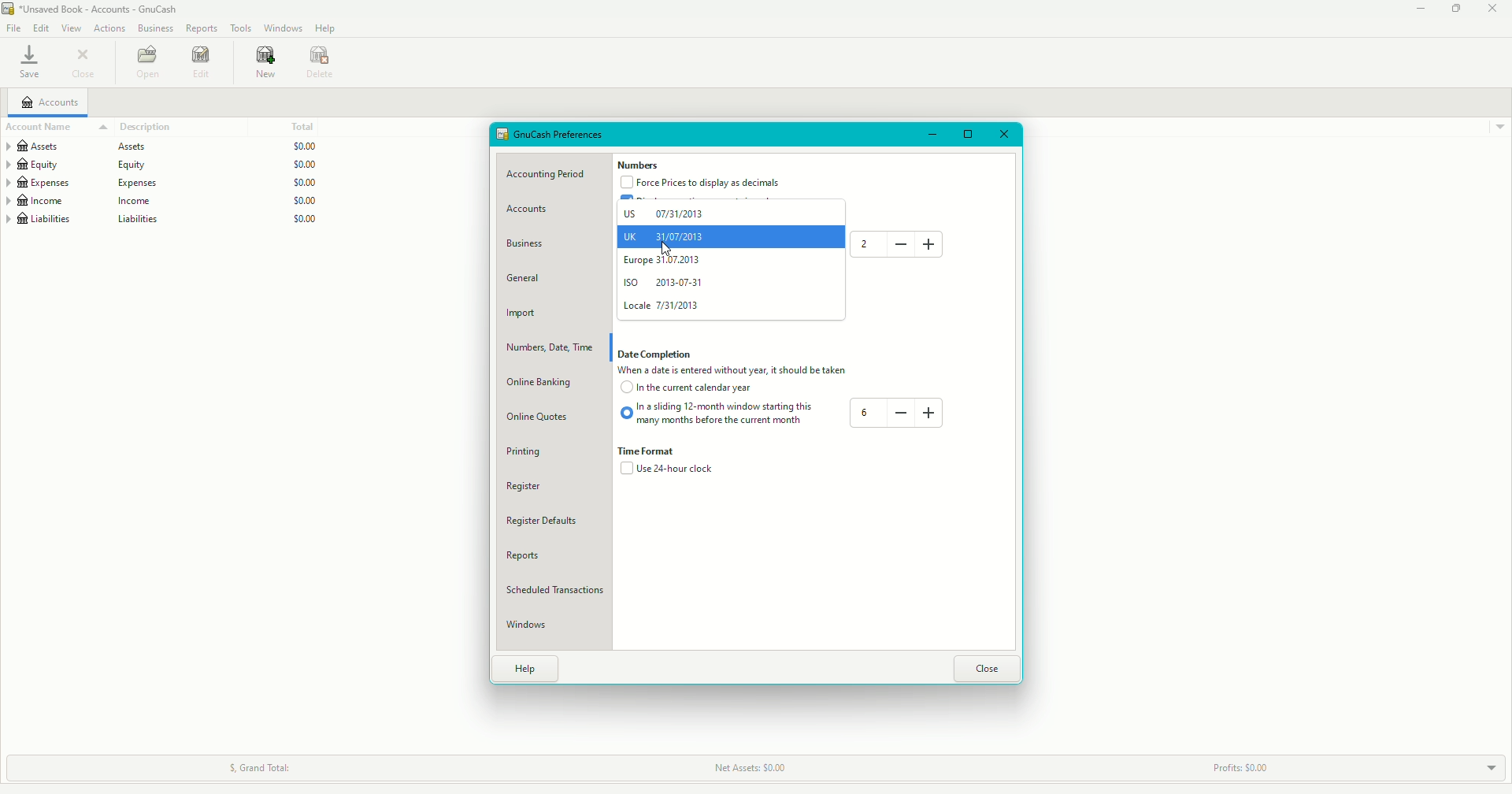 The image size is (1512, 794). Describe the element at coordinates (533, 626) in the screenshot. I see `Windows` at that location.